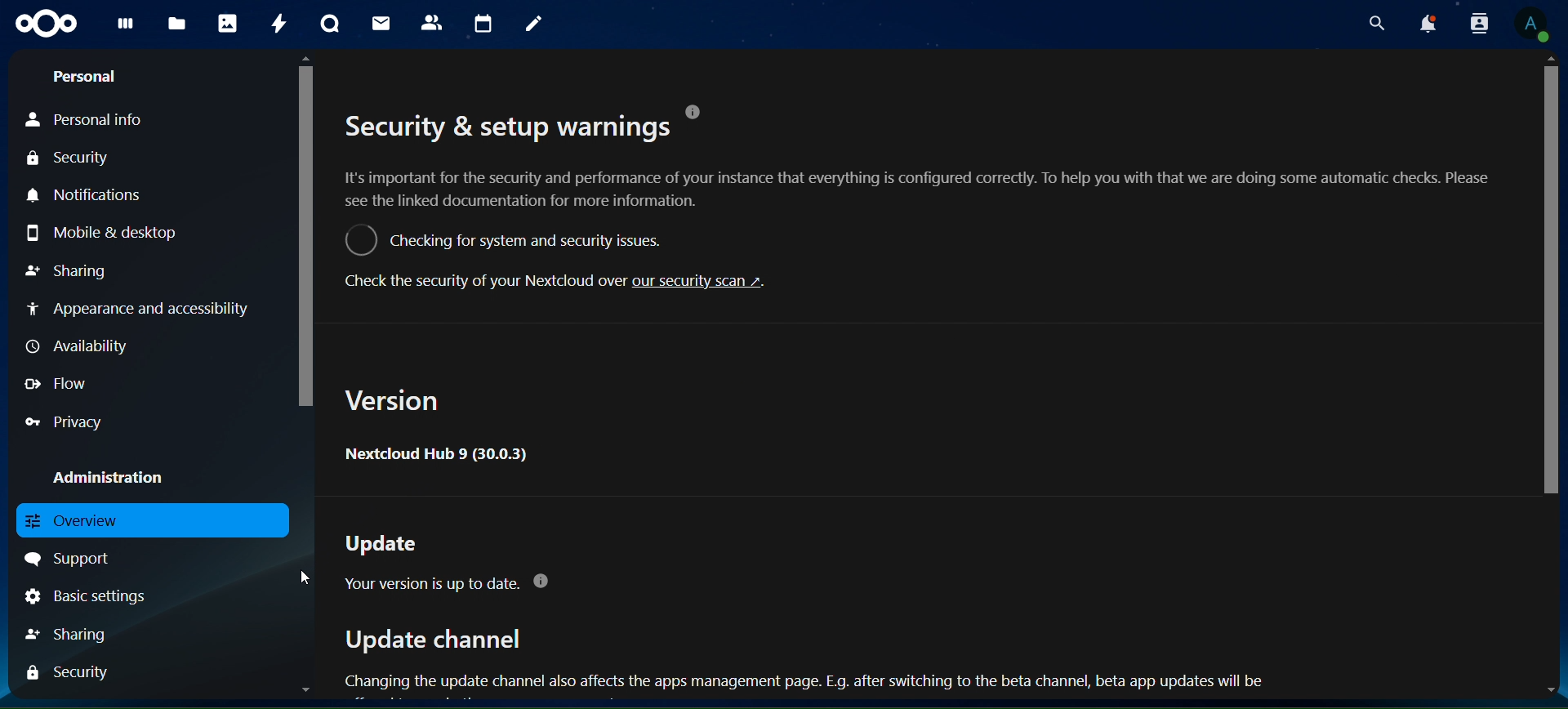  What do you see at coordinates (792, 659) in the screenshot?
I see `Update channel
Changing the update channel also affects the apps management page. E.g. after switching to the beta channel, beta app updates will be` at bounding box center [792, 659].